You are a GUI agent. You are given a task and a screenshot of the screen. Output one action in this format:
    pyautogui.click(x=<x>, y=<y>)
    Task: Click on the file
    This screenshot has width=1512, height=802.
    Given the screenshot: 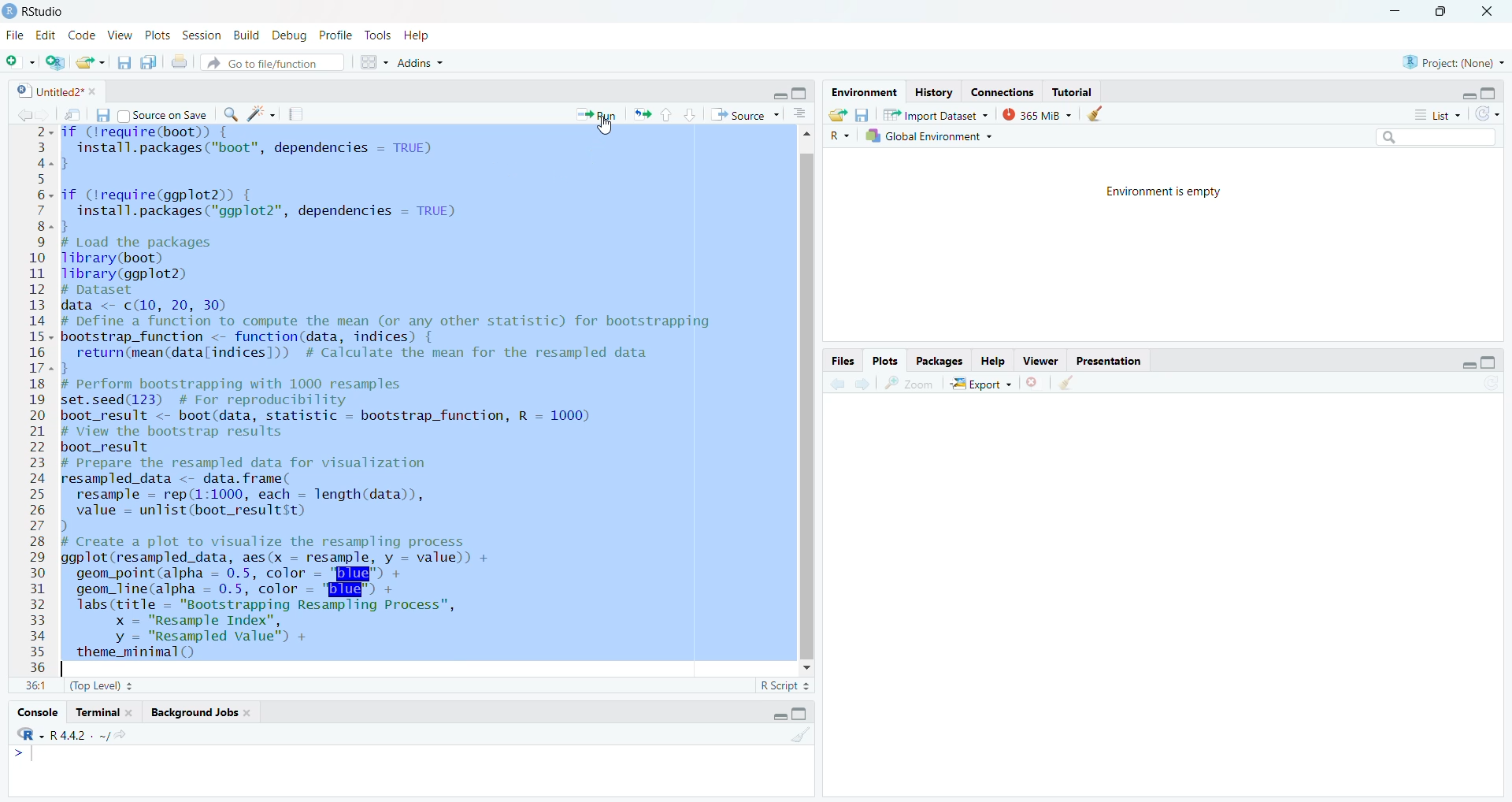 What is the action you would take?
    pyautogui.click(x=13, y=33)
    